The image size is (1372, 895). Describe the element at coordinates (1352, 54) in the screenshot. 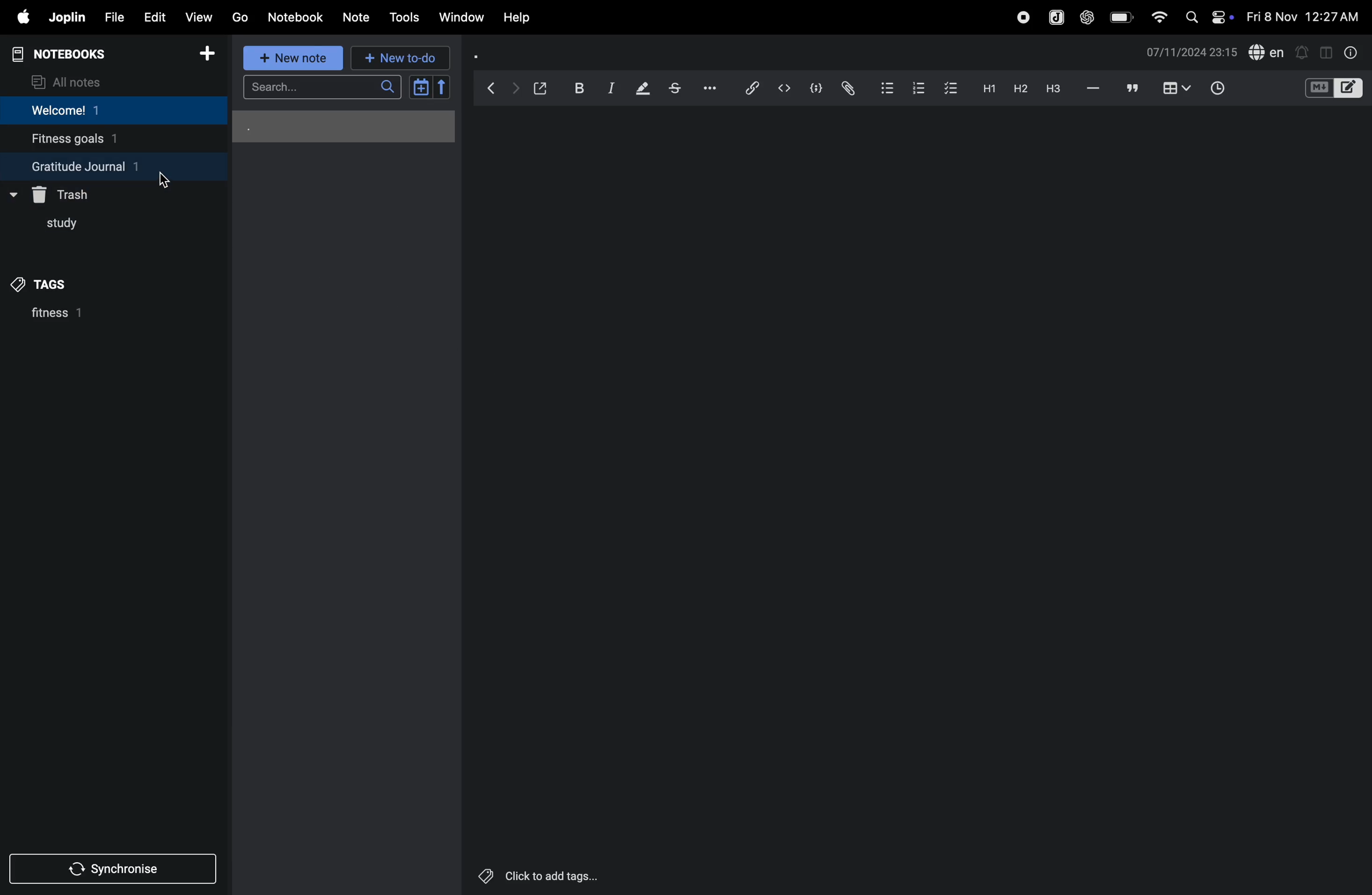

I see `info` at that location.